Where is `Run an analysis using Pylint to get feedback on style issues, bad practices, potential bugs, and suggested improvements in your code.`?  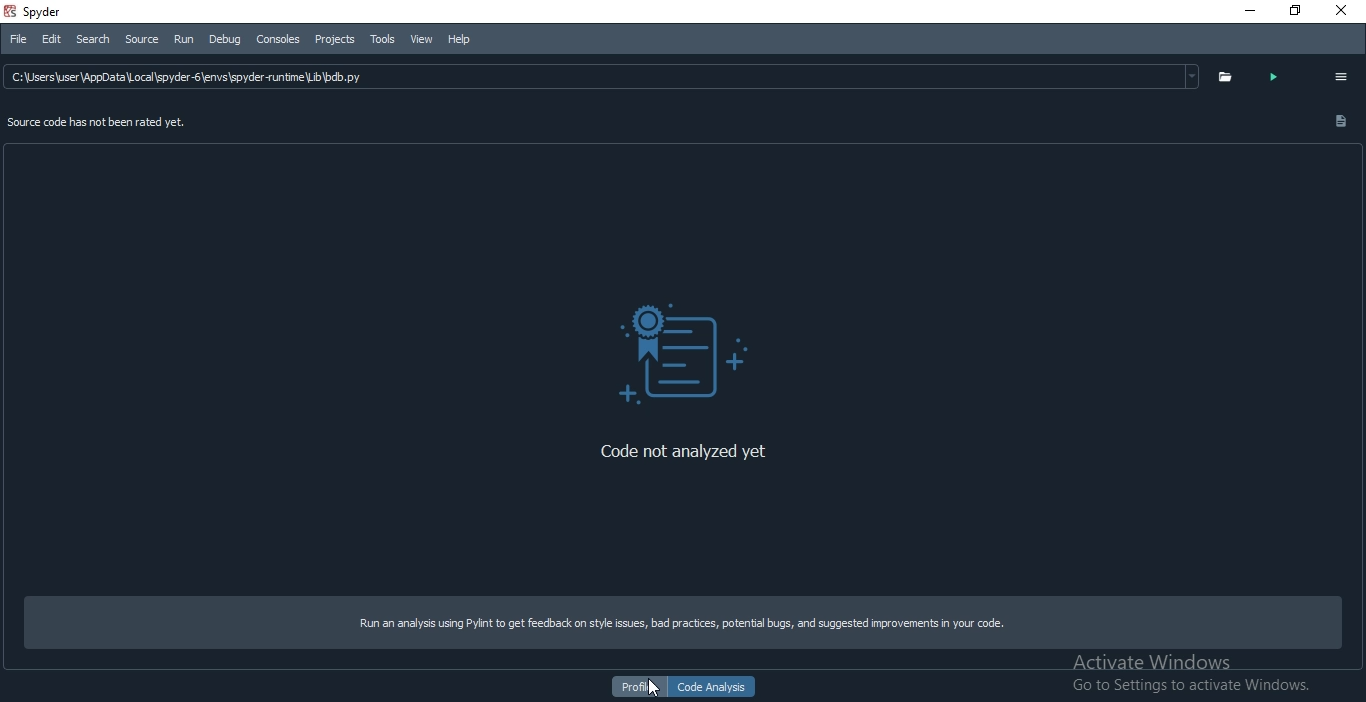
Run an analysis using Pylint to get feedback on style issues, bad practices, potential bugs, and suggested improvements in your code. is located at coordinates (669, 621).